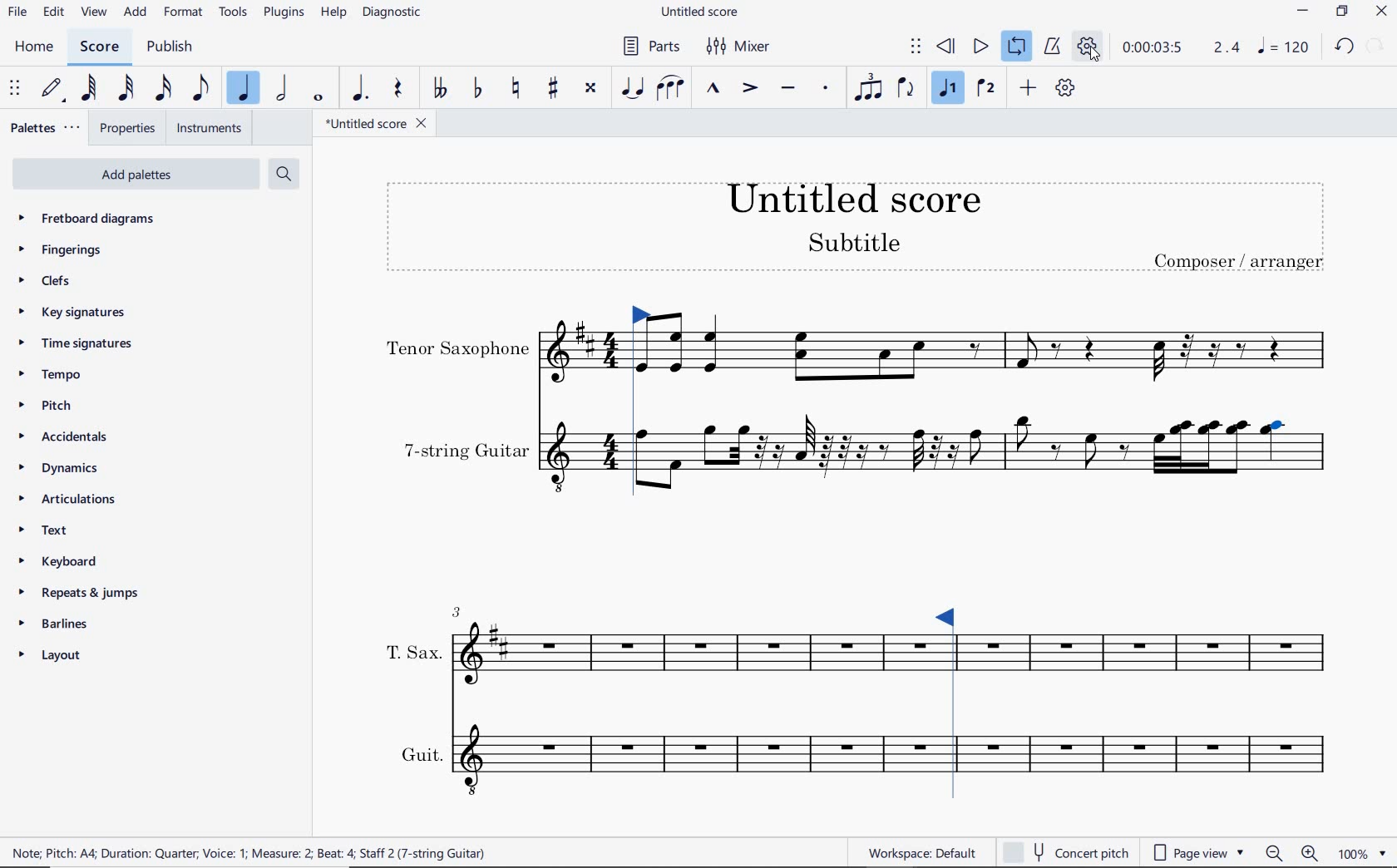 This screenshot has width=1397, height=868. What do you see at coordinates (639, 757) in the screenshot?
I see `INSTRUMENT: GUIT` at bounding box center [639, 757].